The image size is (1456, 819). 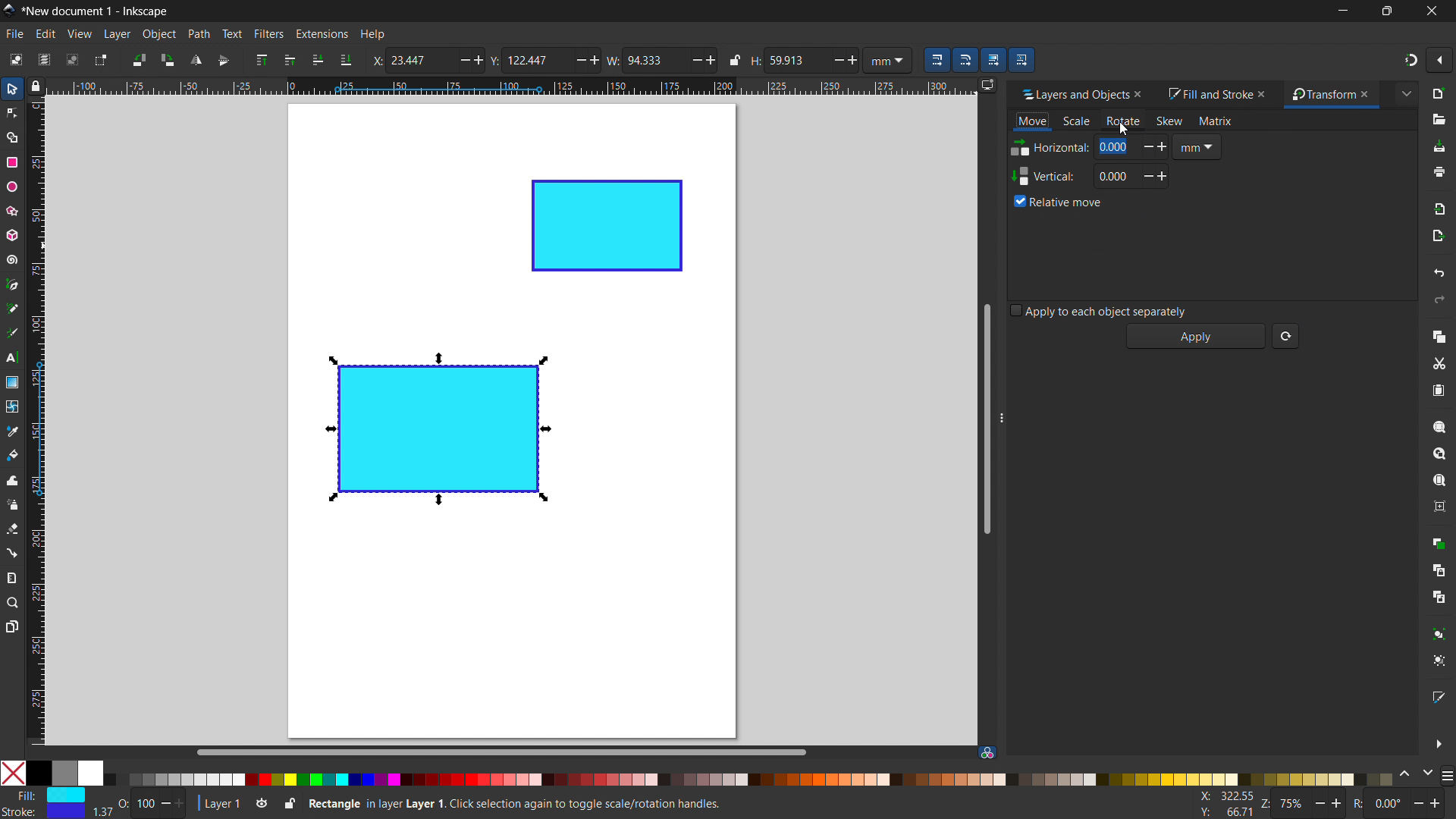 I want to click on fill and stroke, so click(x=1208, y=95).